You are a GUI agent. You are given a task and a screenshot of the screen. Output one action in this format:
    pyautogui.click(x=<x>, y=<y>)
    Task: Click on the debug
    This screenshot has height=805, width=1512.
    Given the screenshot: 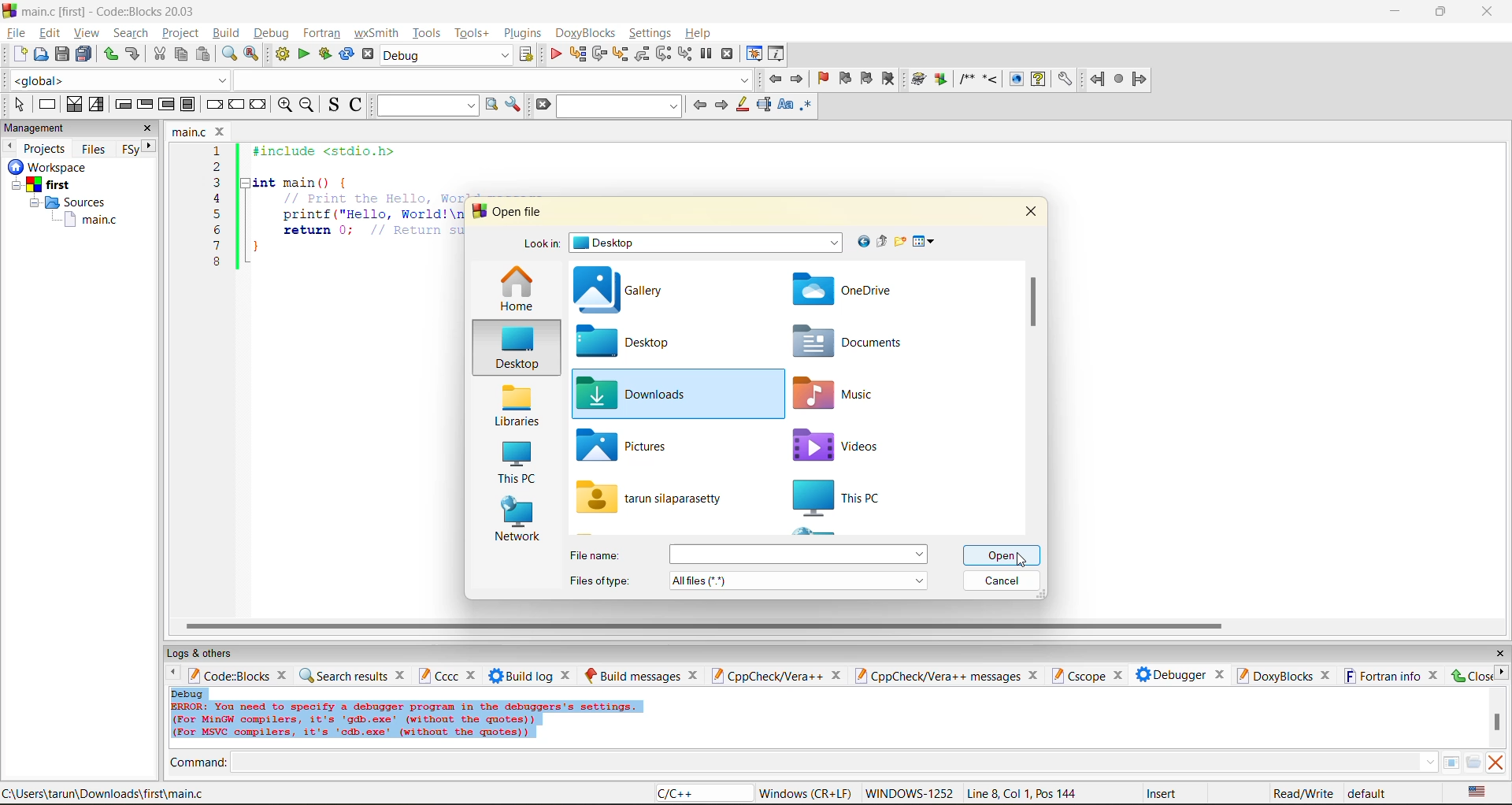 What is the action you would take?
    pyautogui.click(x=188, y=693)
    